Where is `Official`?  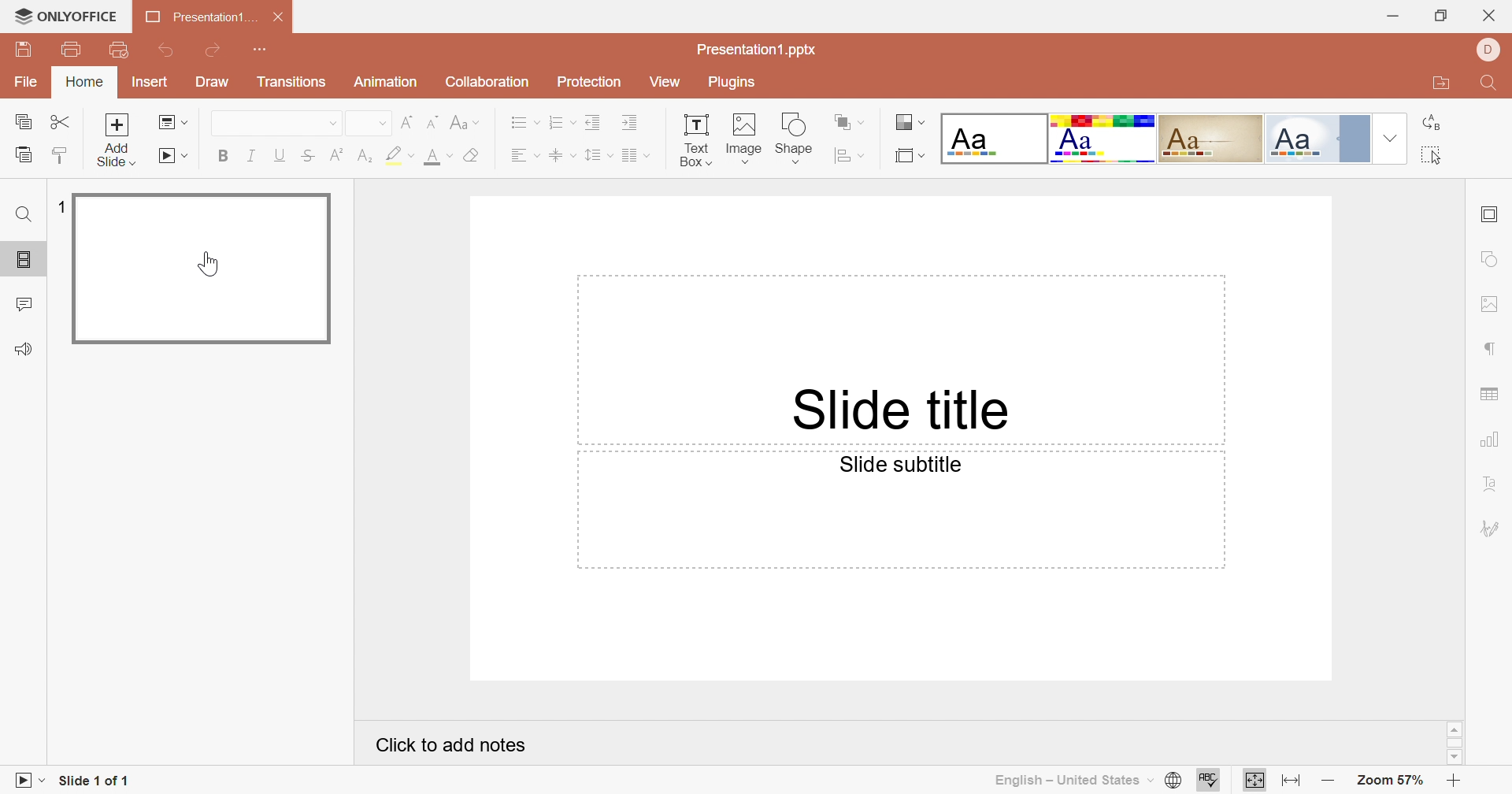
Official is located at coordinates (1316, 139).